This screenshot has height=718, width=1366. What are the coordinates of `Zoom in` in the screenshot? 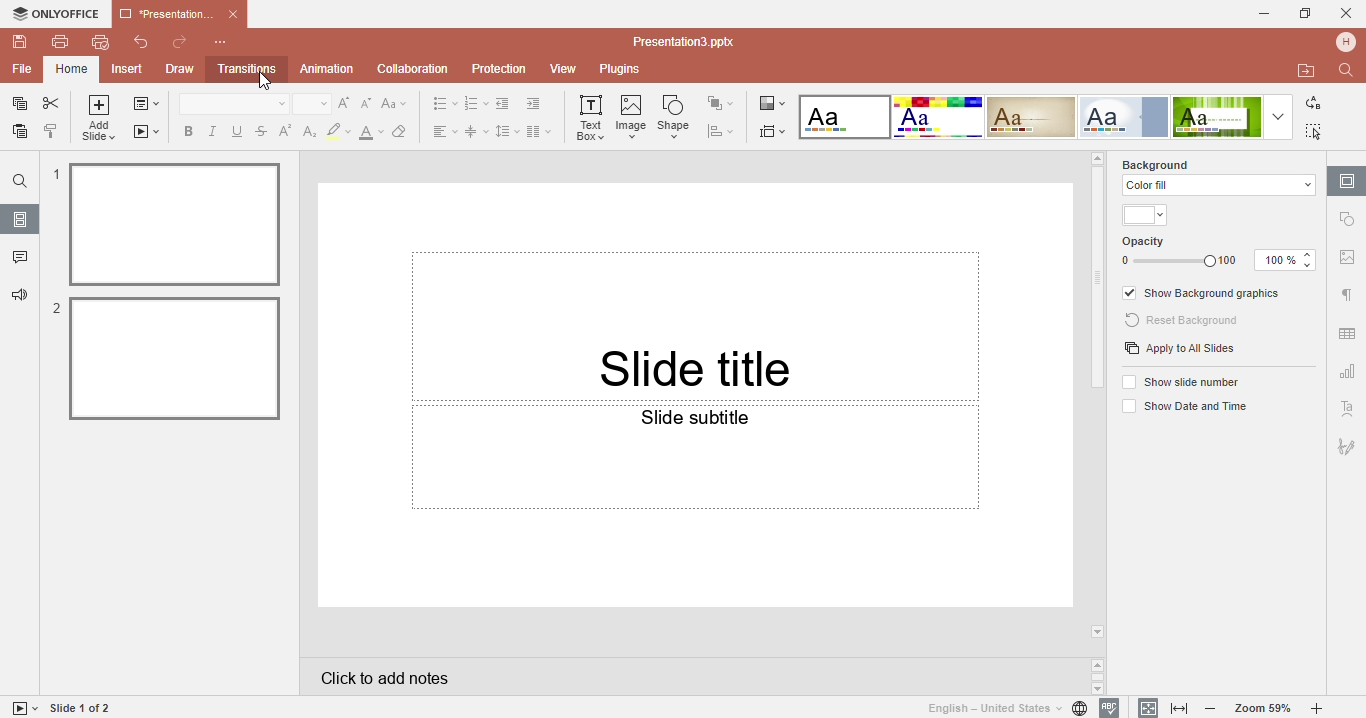 It's located at (1321, 709).